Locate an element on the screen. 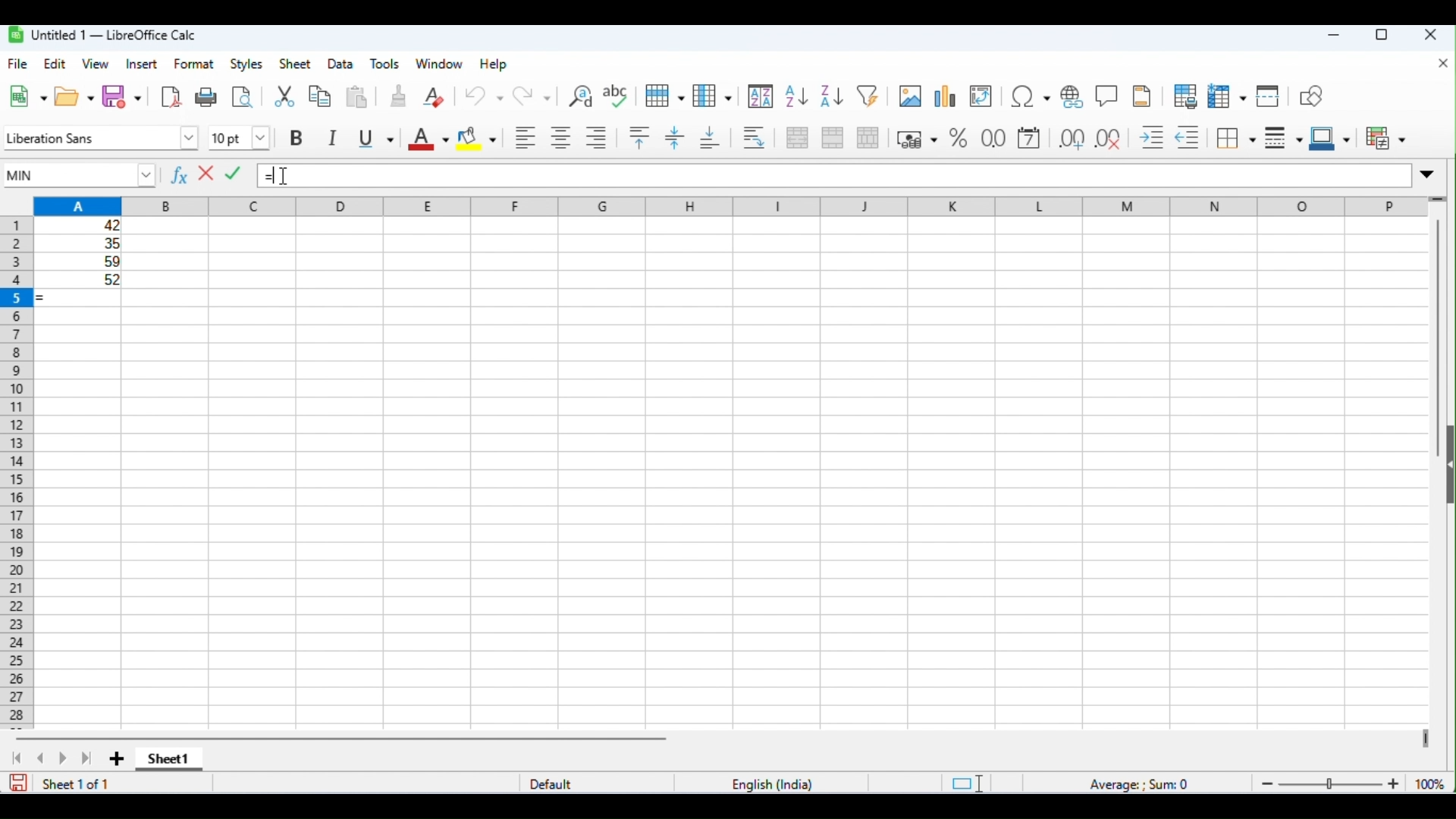 This screenshot has width=1456, height=819. clear direct formatting is located at coordinates (433, 97).